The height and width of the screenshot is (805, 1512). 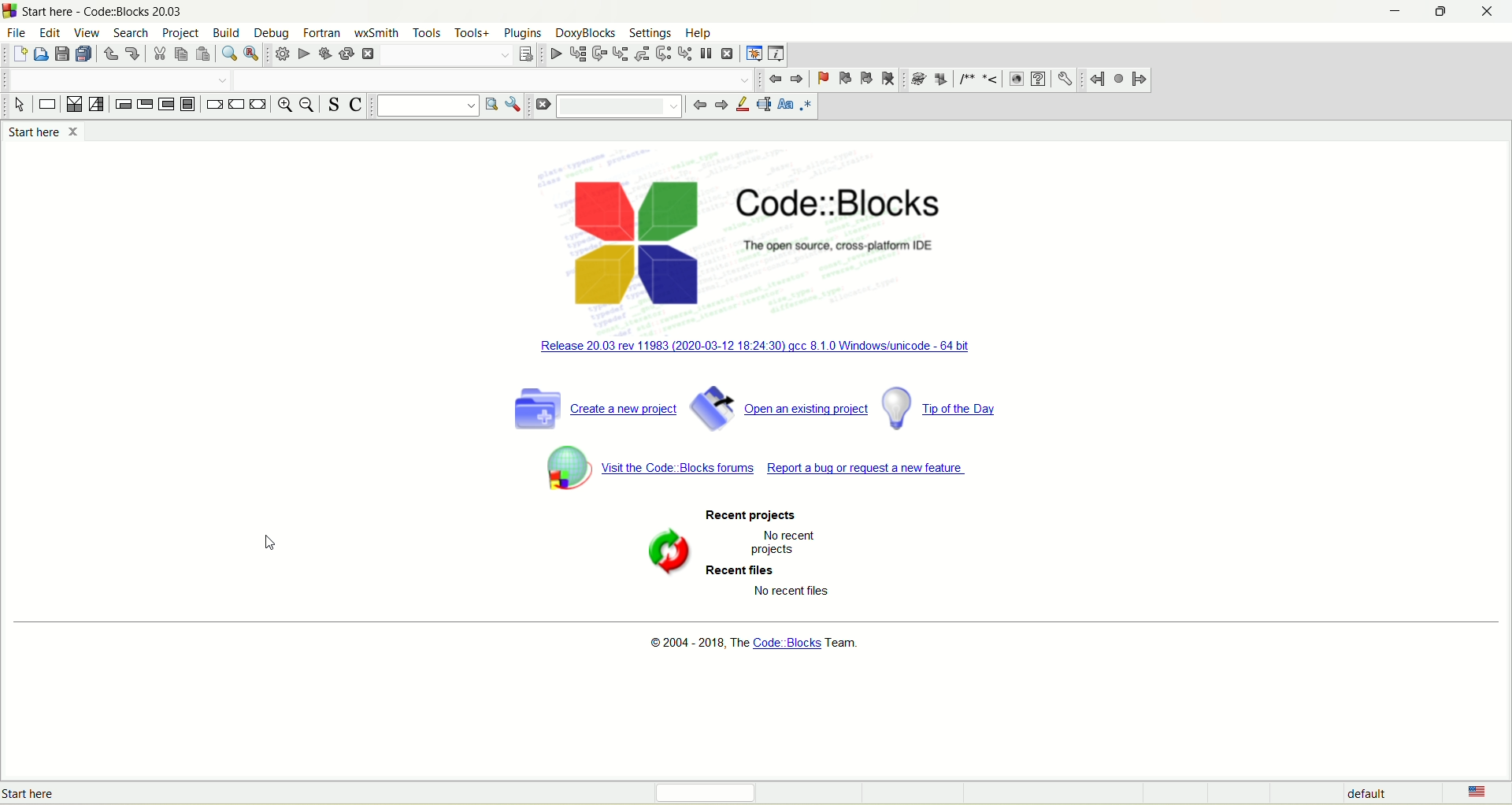 I want to click on run, so click(x=300, y=54).